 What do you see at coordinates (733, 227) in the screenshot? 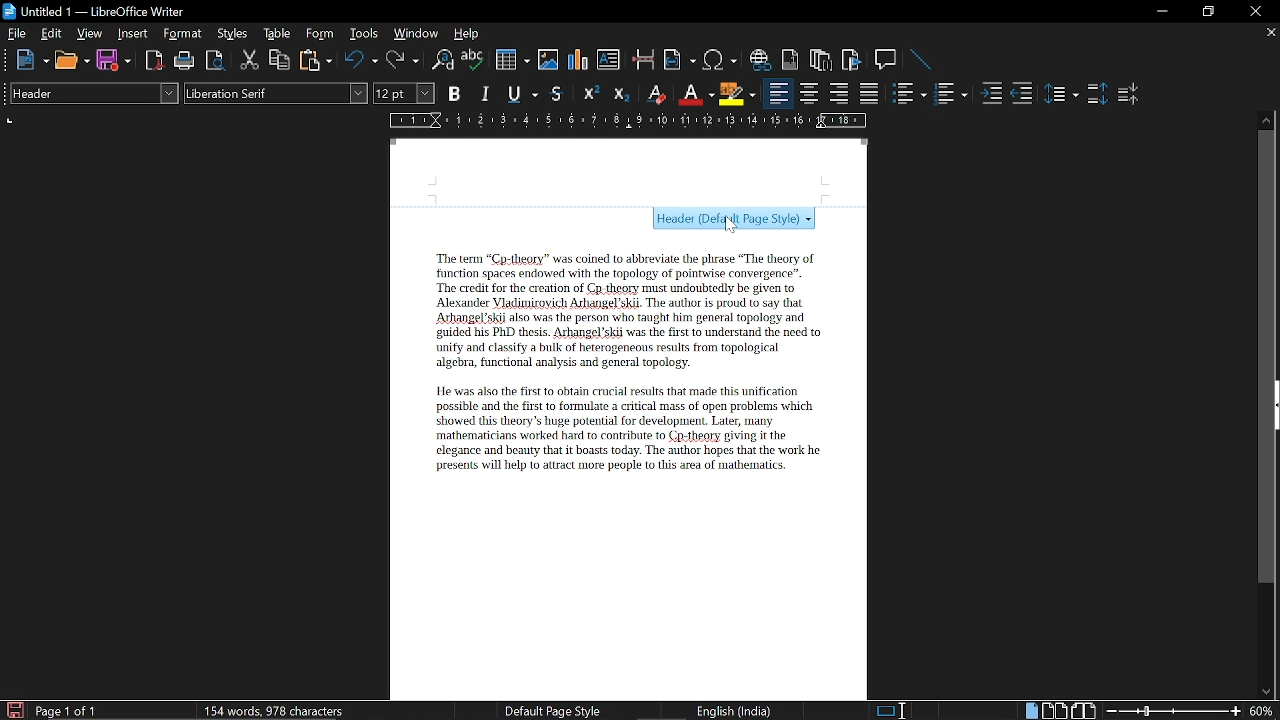
I see `cursor` at bounding box center [733, 227].